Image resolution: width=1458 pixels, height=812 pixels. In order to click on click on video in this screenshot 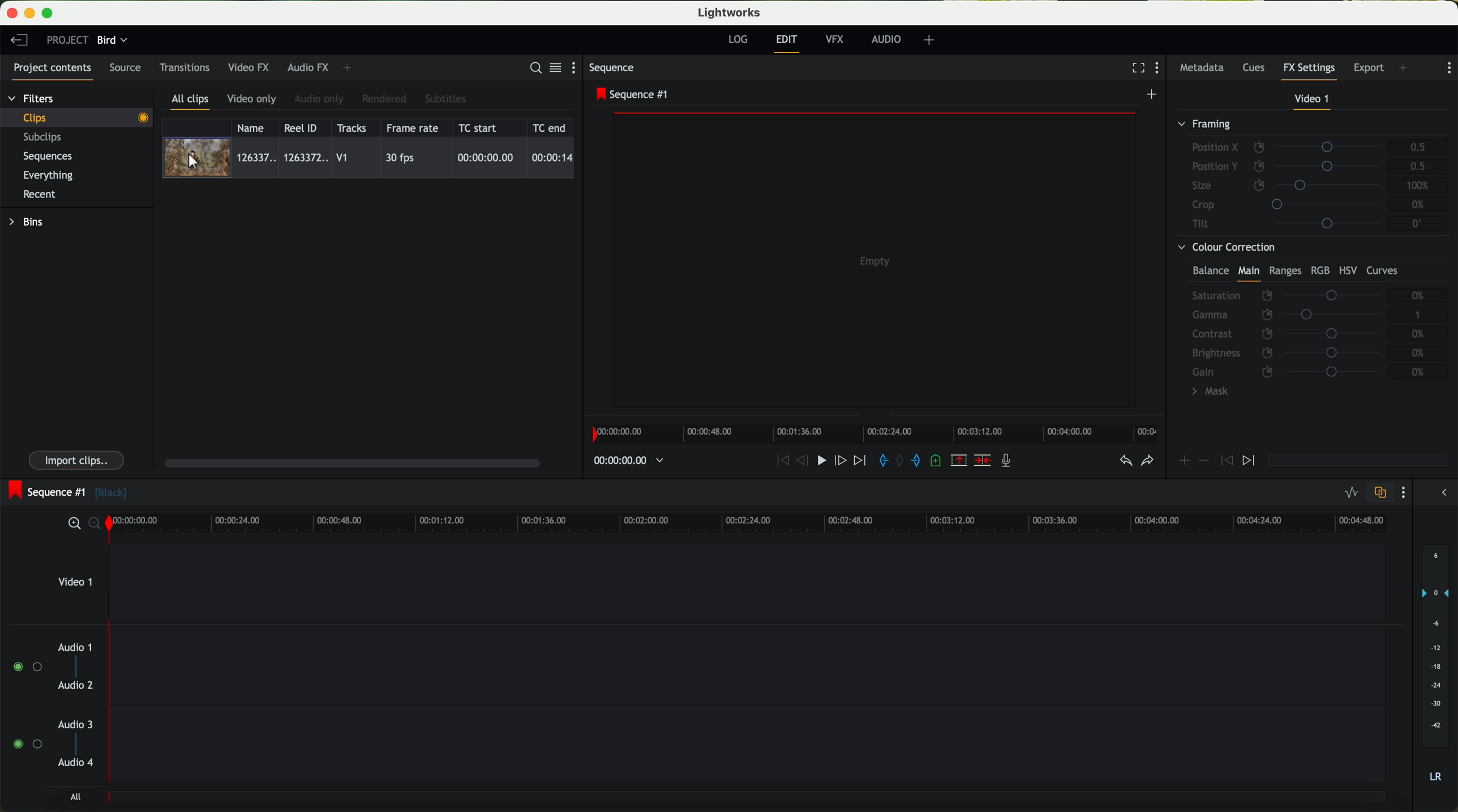, I will do `click(372, 160)`.